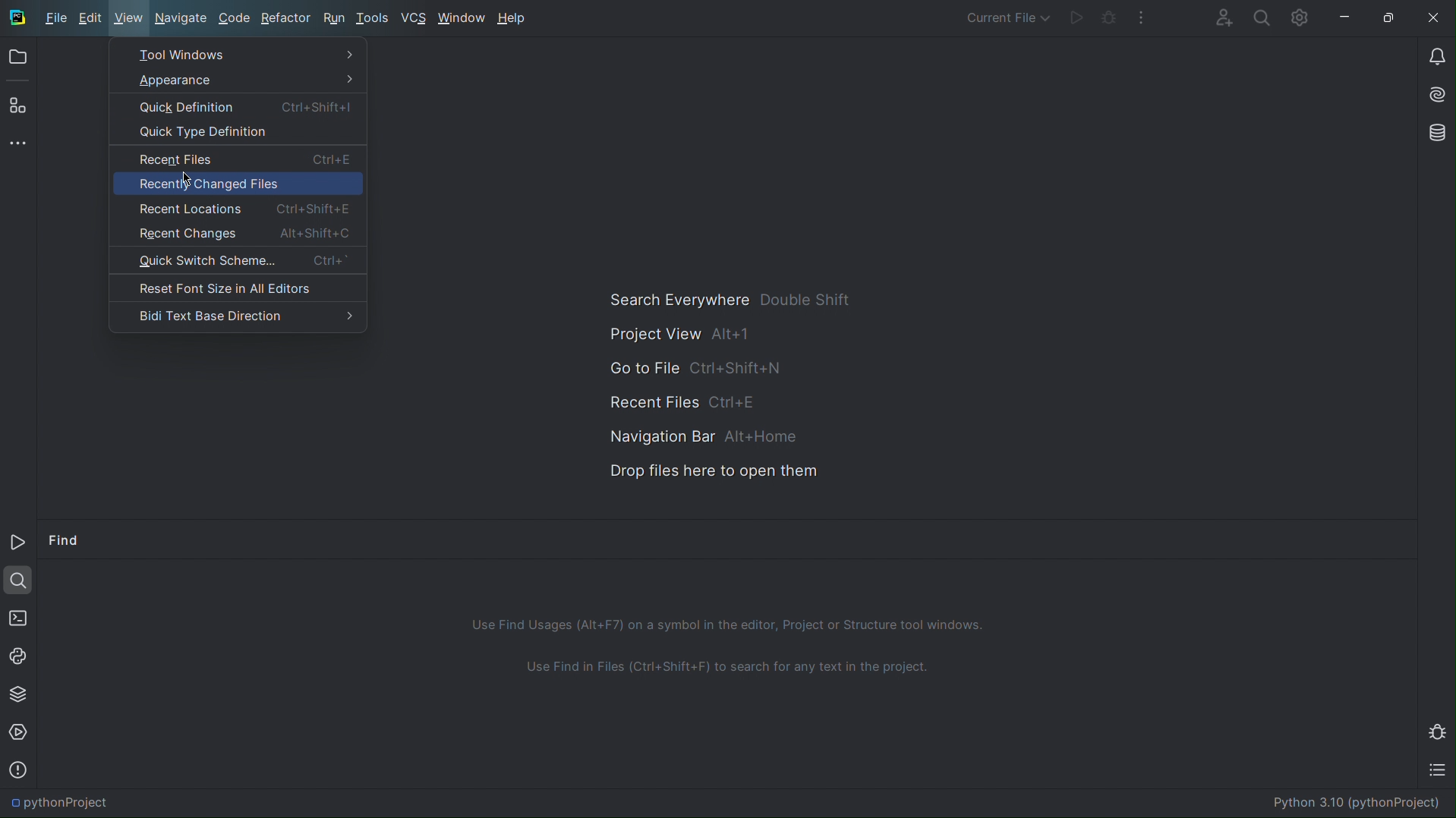 The image size is (1456, 818). Describe the element at coordinates (1441, 772) in the screenshot. I see `TODO` at that location.